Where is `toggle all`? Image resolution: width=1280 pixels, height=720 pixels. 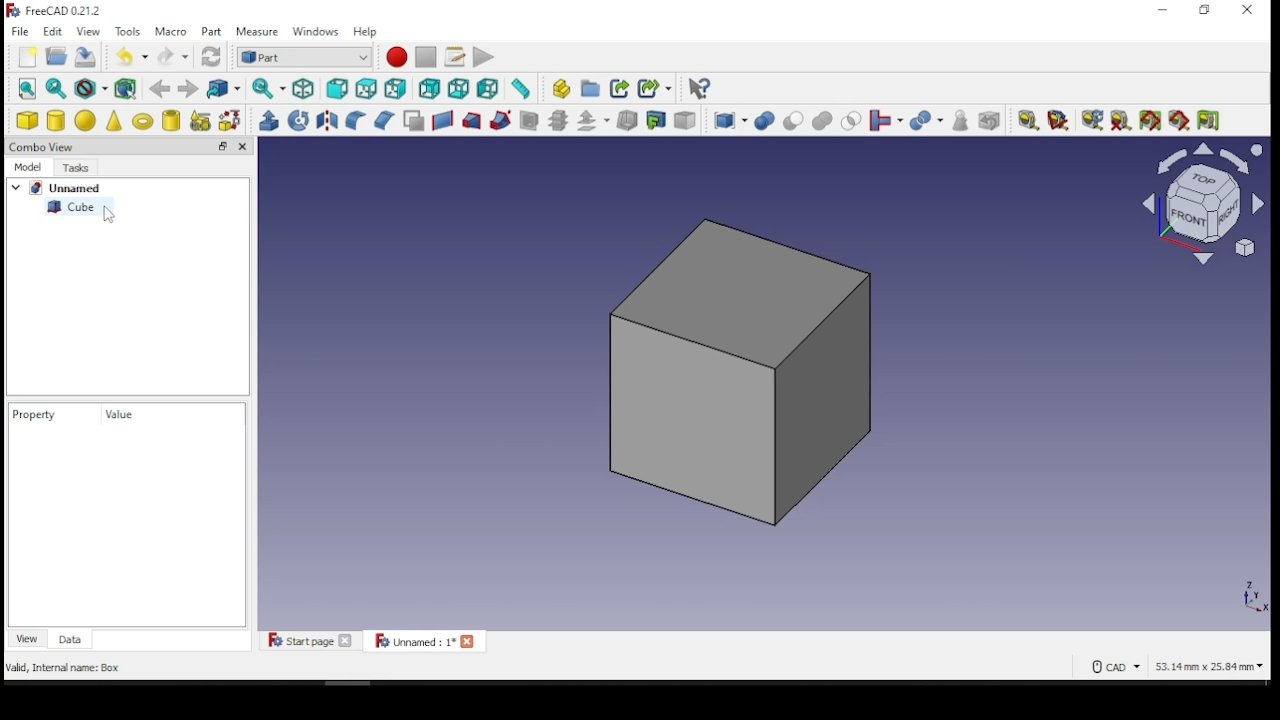
toggle all is located at coordinates (1150, 121).